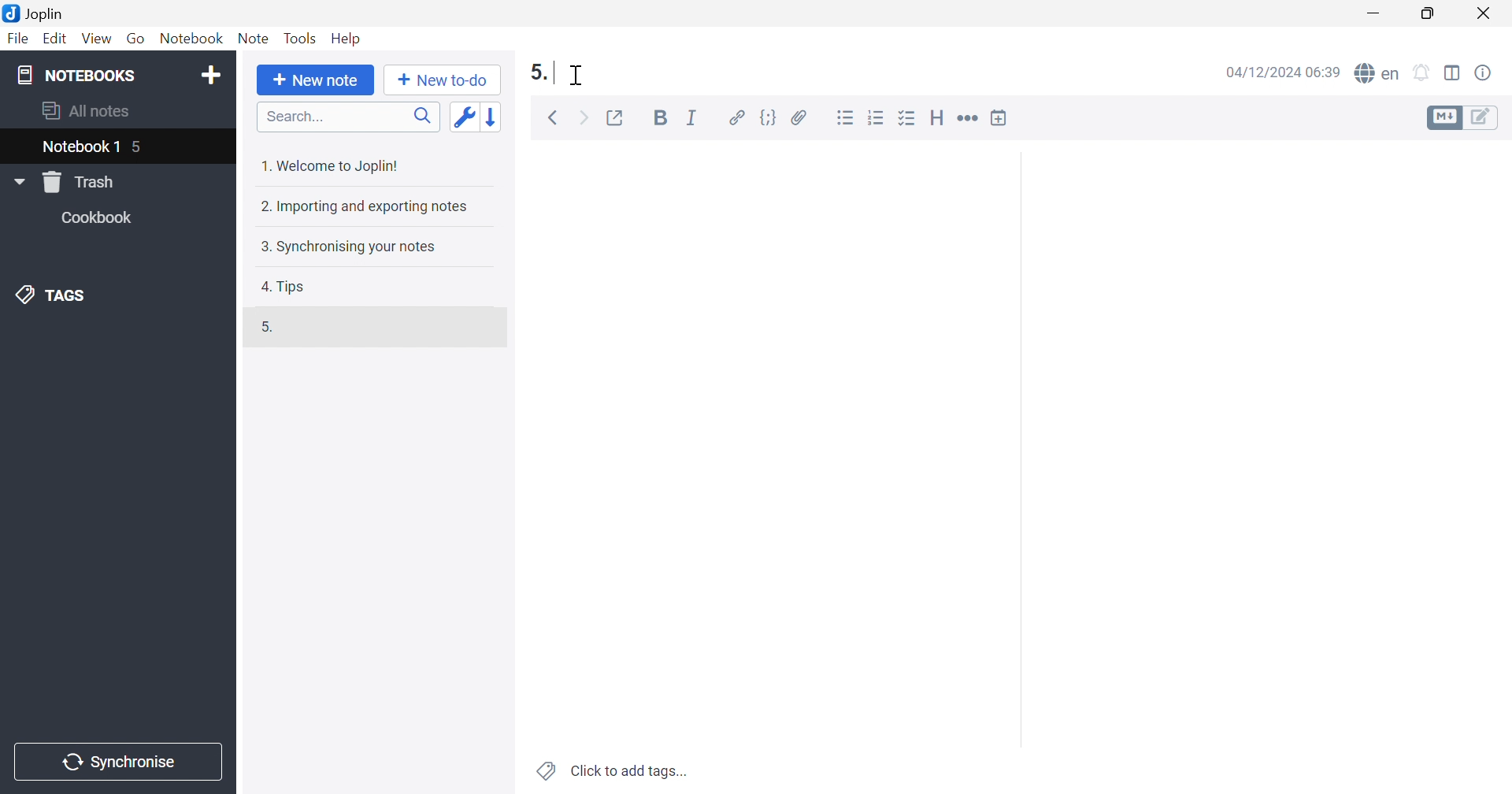 The image size is (1512, 794). Describe the element at coordinates (658, 117) in the screenshot. I see `Bold` at that location.